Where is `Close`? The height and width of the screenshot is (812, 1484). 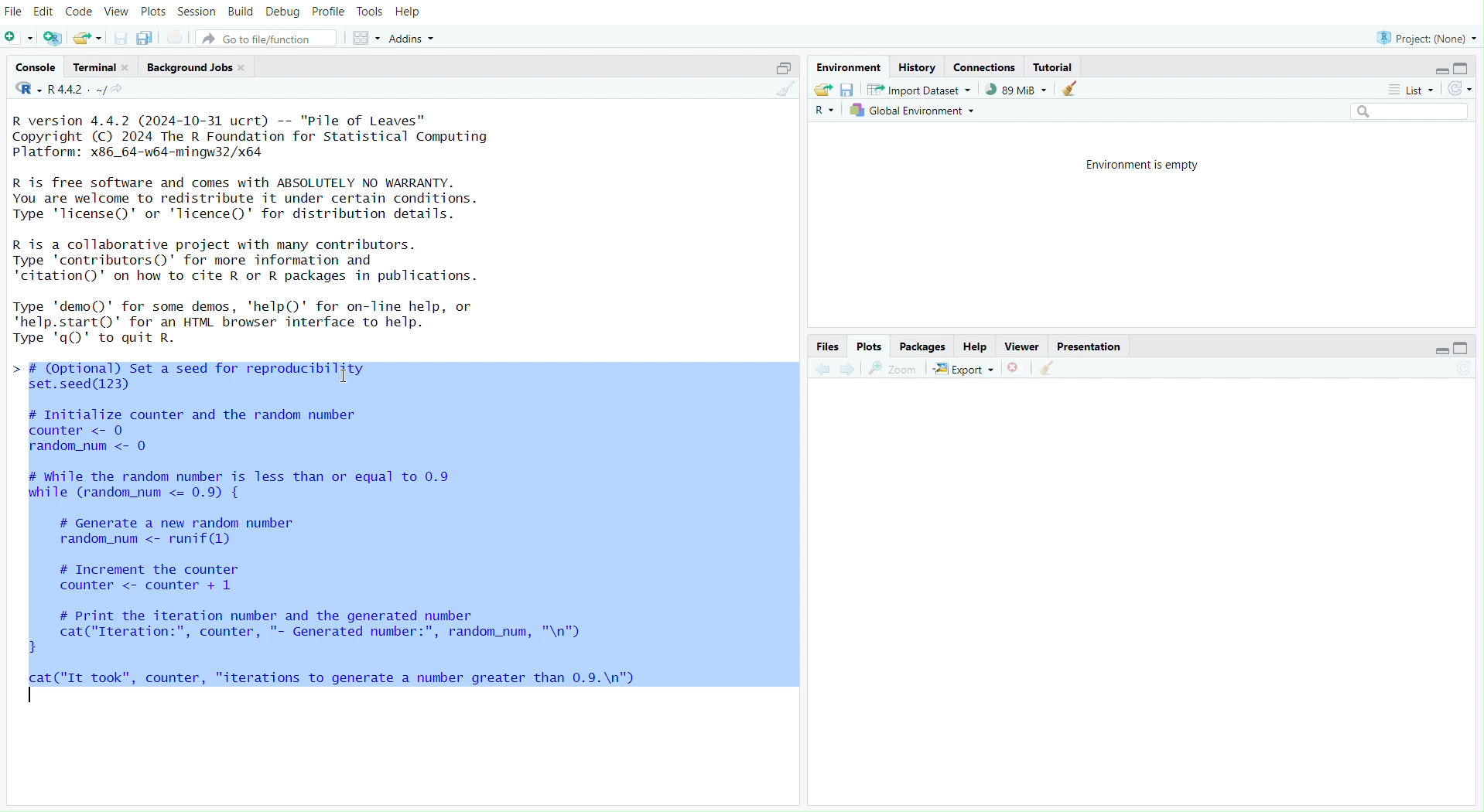 Close is located at coordinates (1018, 367).